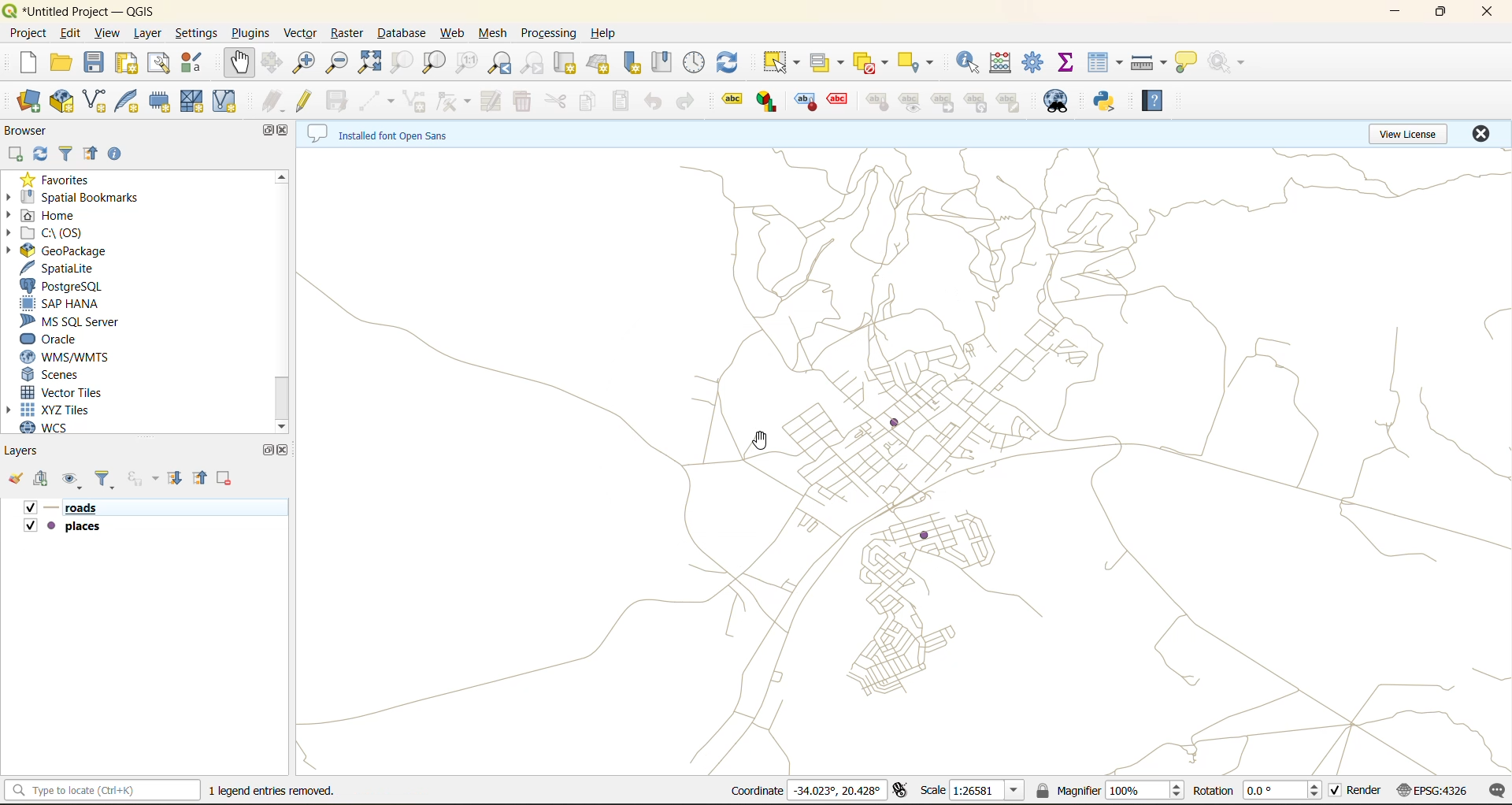 The height and width of the screenshot is (805, 1512). Describe the element at coordinates (802, 789) in the screenshot. I see `coordinates` at that location.